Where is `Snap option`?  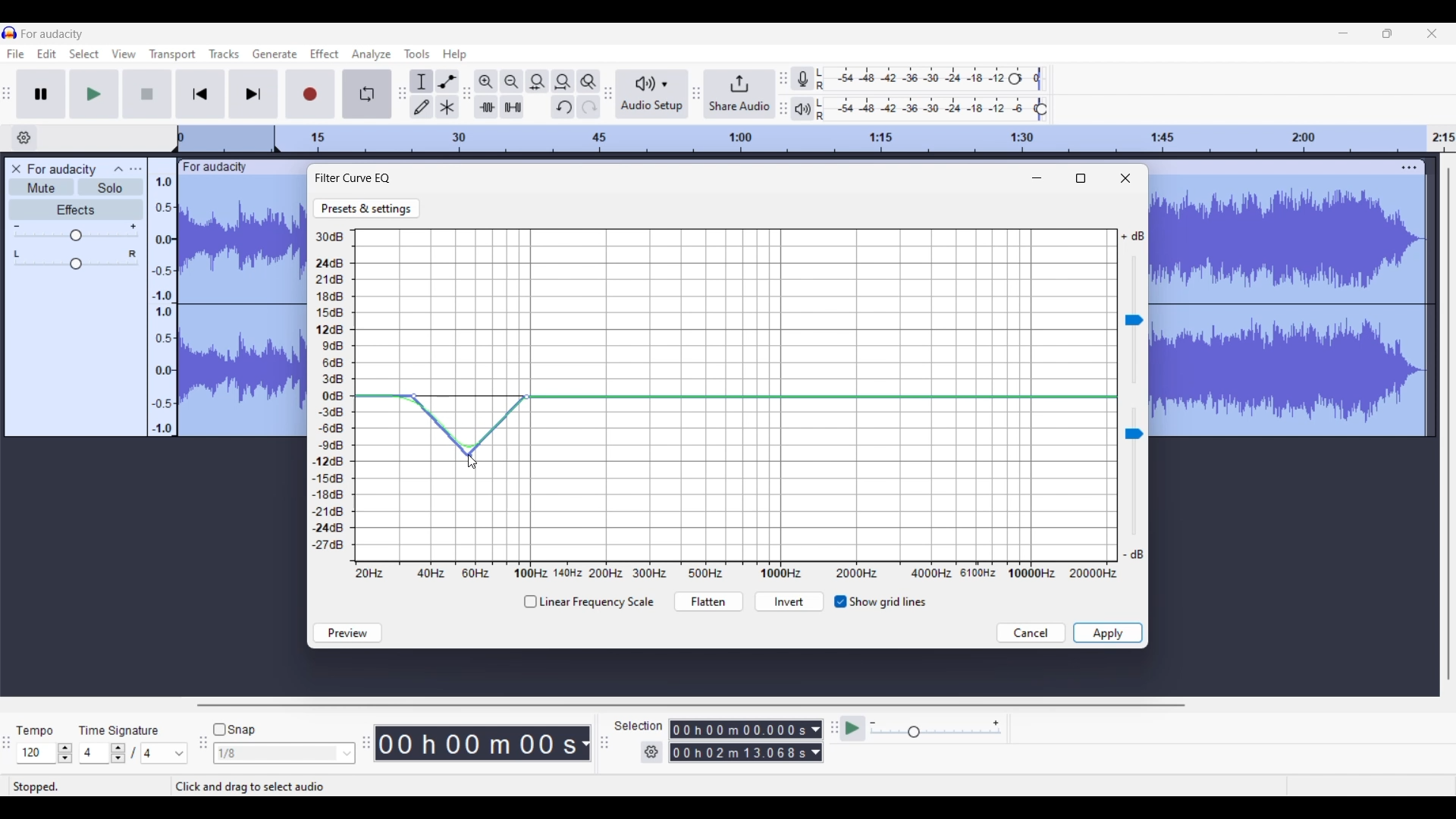 Snap option is located at coordinates (348, 754).